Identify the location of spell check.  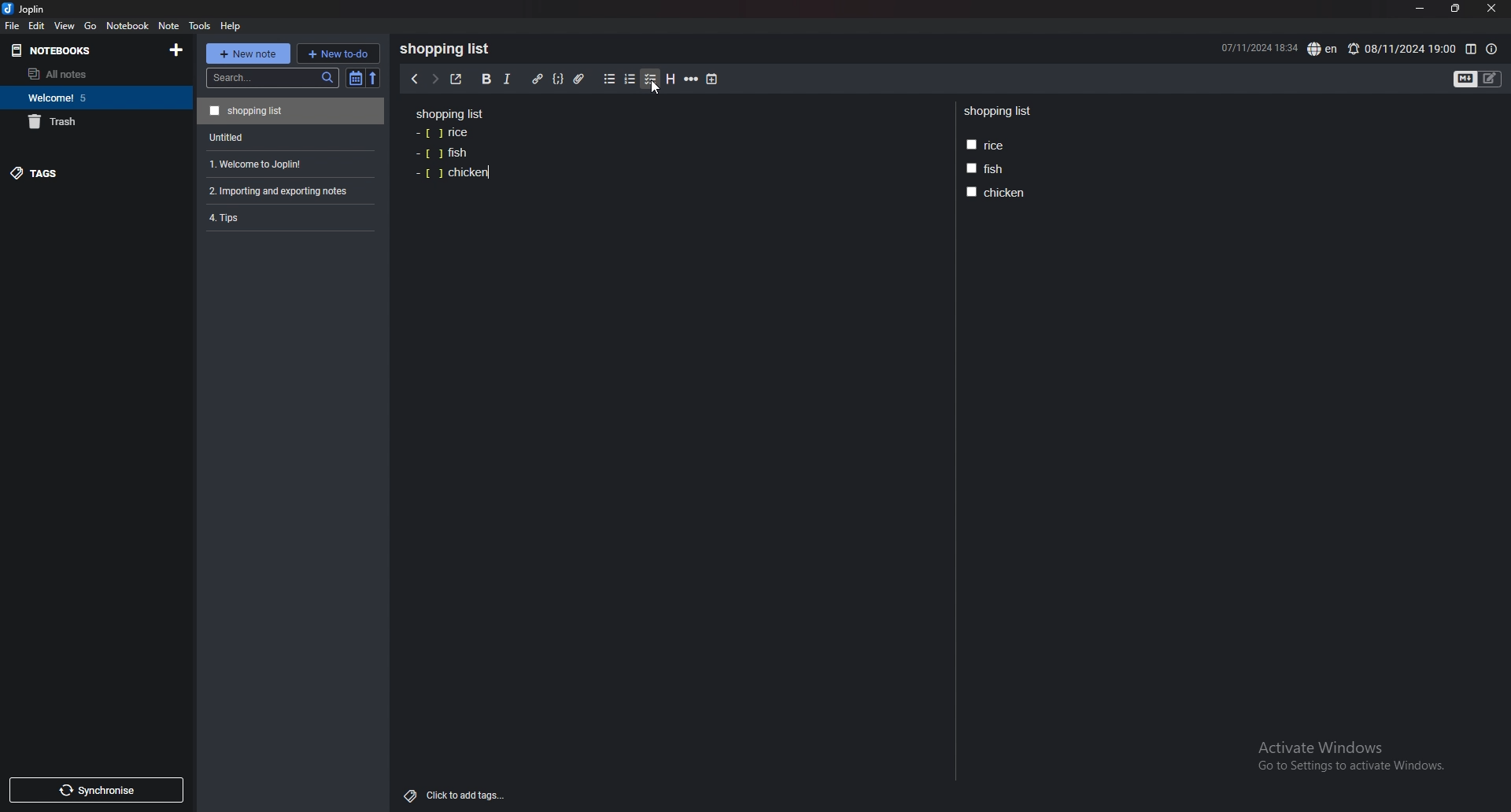
(1324, 49).